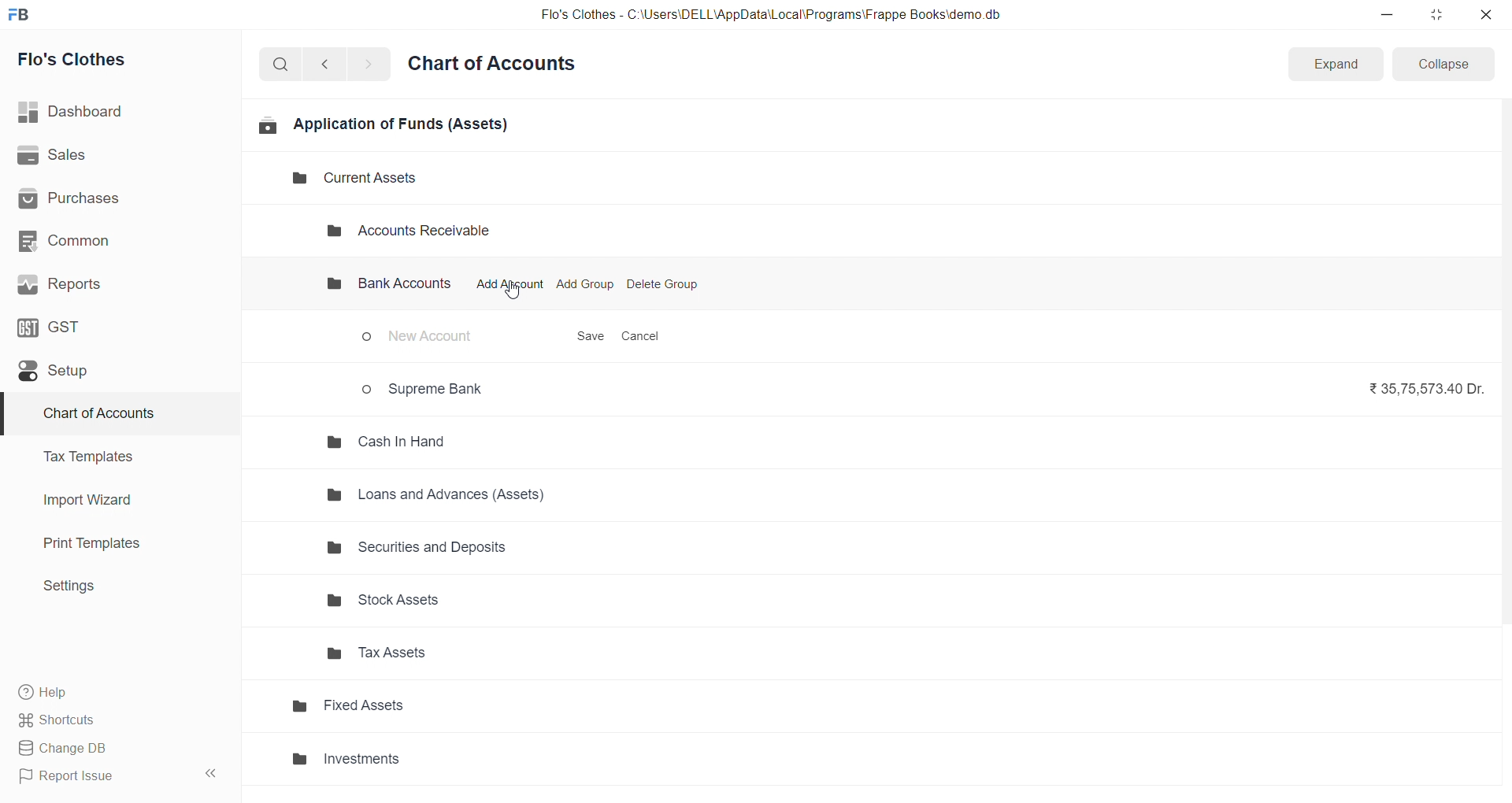  Describe the element at coordinates (591, 337) in the screenshot. I see `Save` at that location.